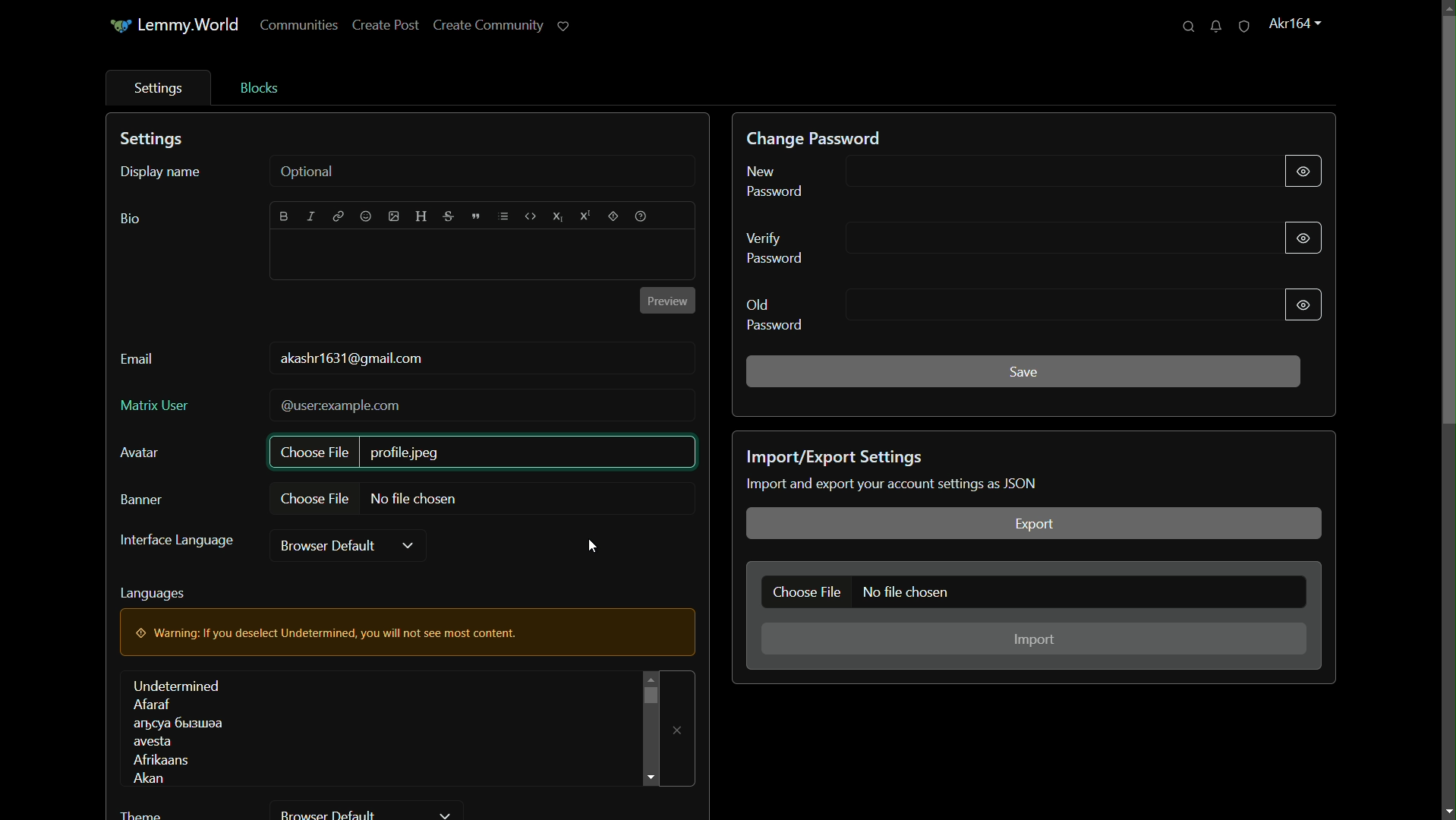 This screenshot has width=1456, height=820. I want to click on subscript, so click(558, 217).